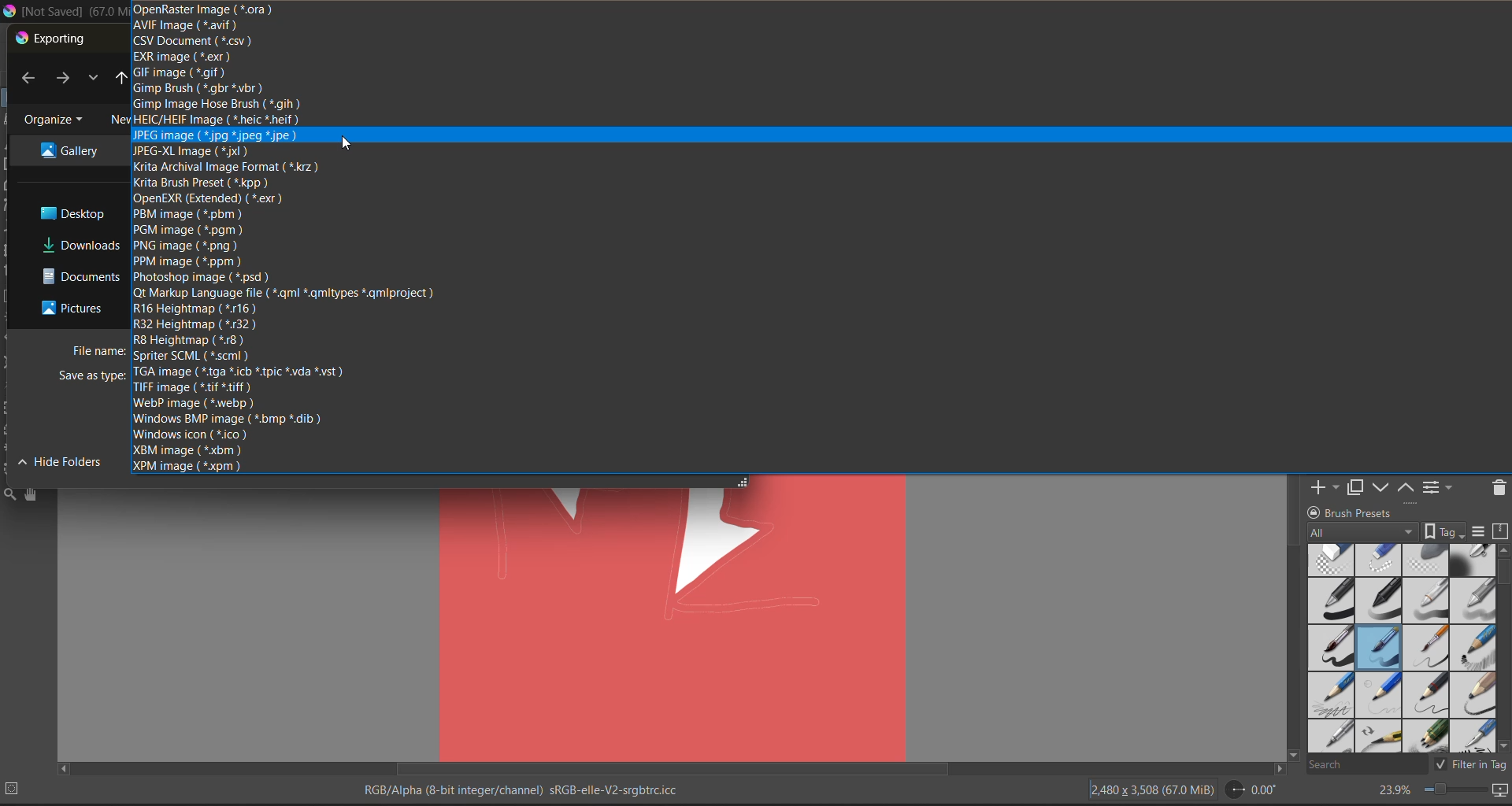 Image resolution: width=1512 pixels, height=806 pixels. What do you see at coordinates (65, 79) in the screenshot?
I see `next` at bounding box center [65, 79].